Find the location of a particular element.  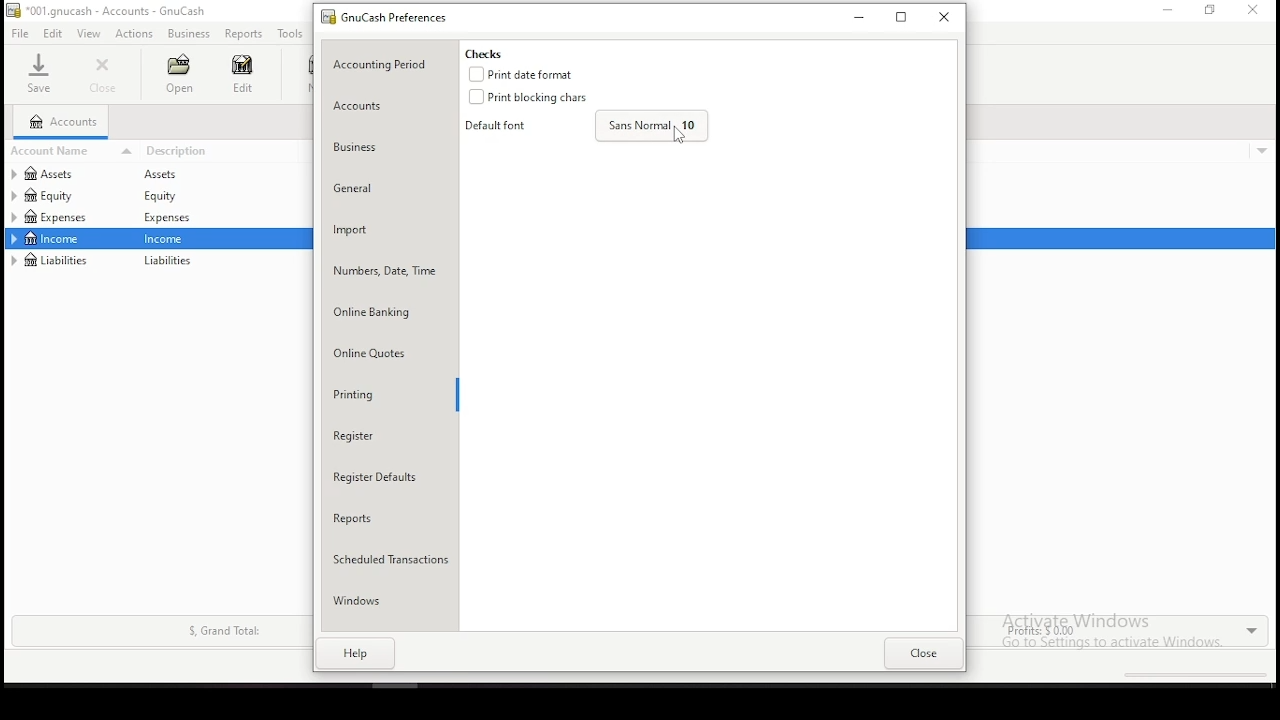

income is located at coordinates (54, 238).